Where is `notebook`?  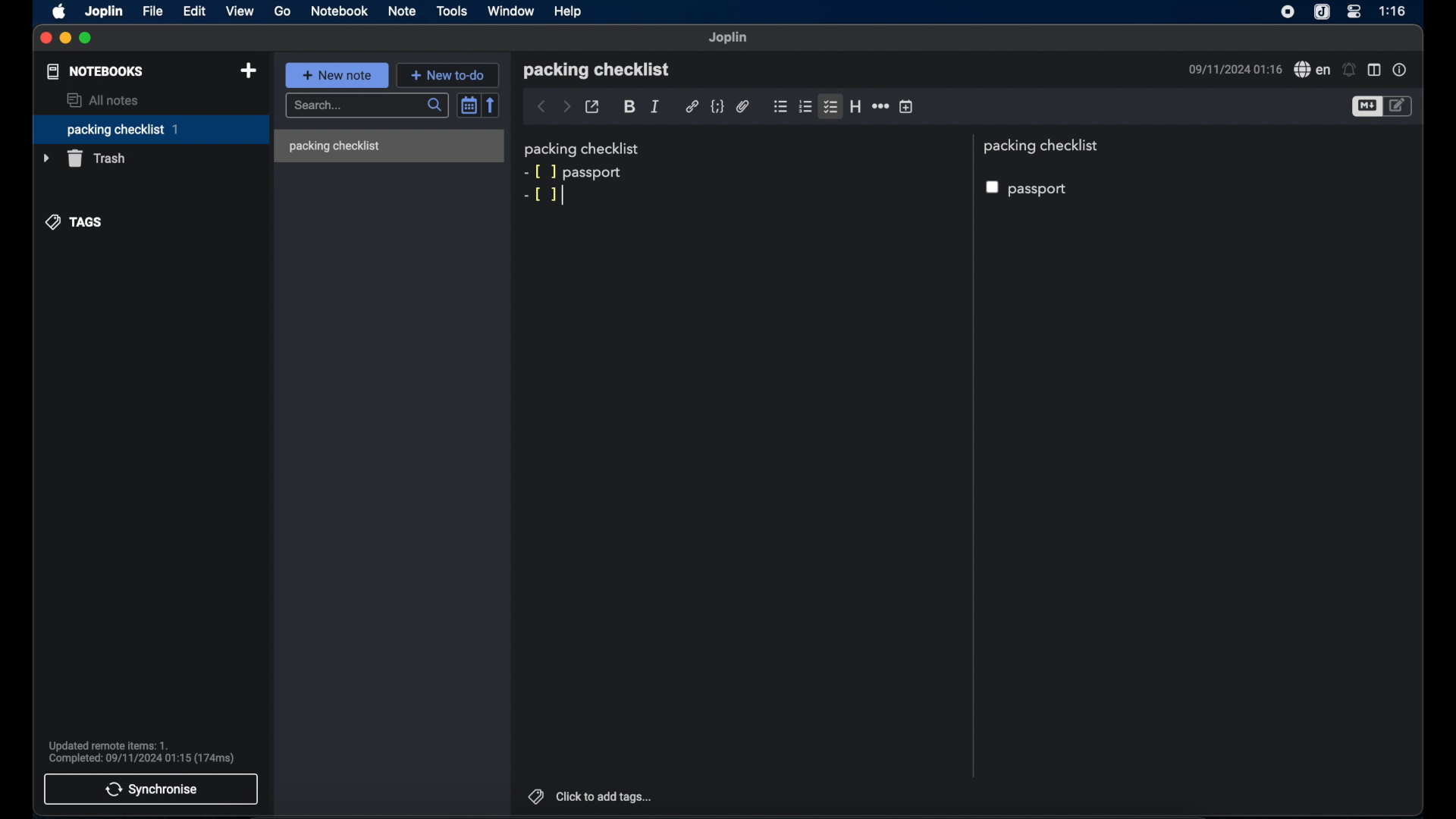 notebook is located at coordinates (339, 11).